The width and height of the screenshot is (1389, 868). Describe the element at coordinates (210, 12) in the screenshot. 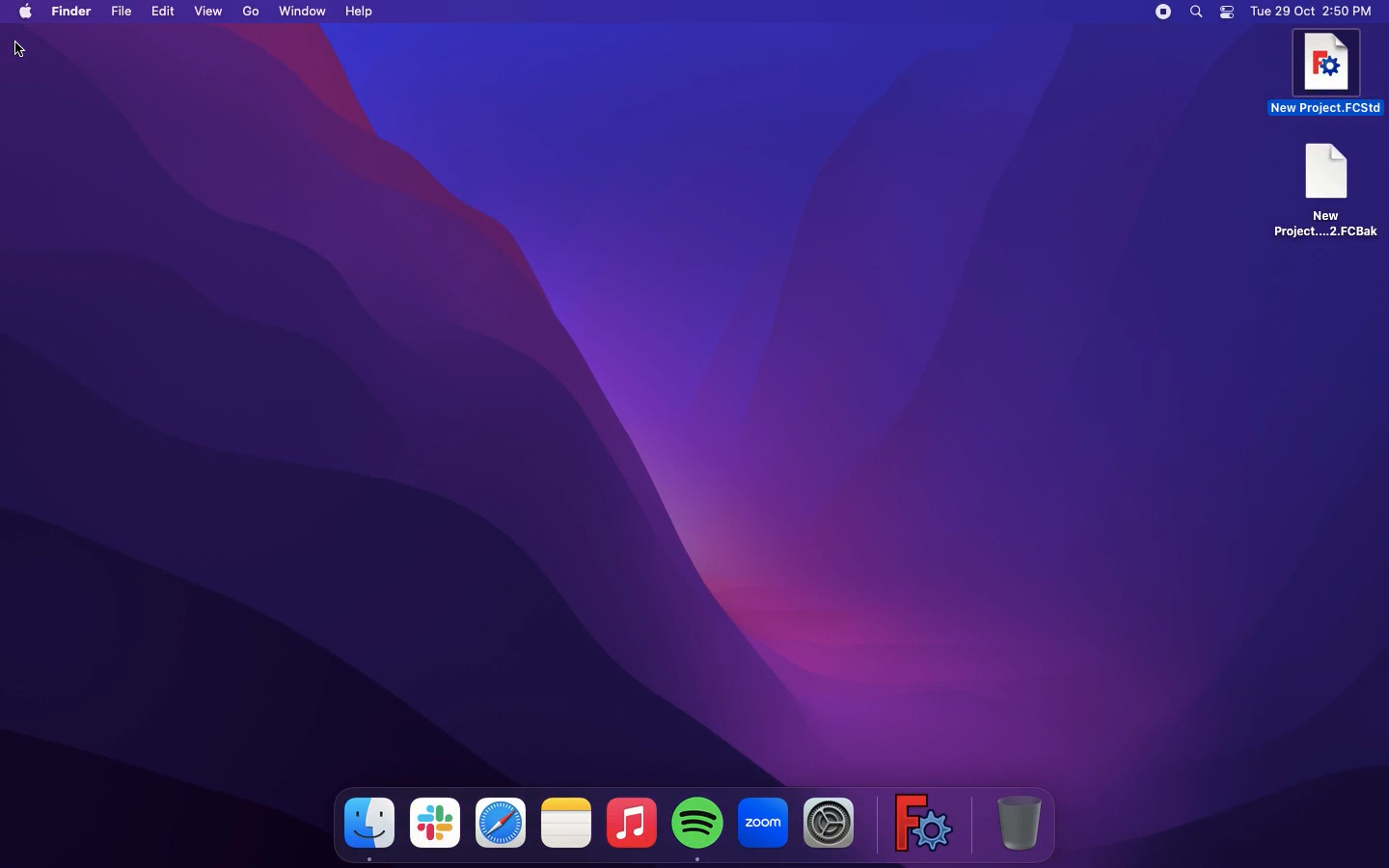

I see `View` at that location.